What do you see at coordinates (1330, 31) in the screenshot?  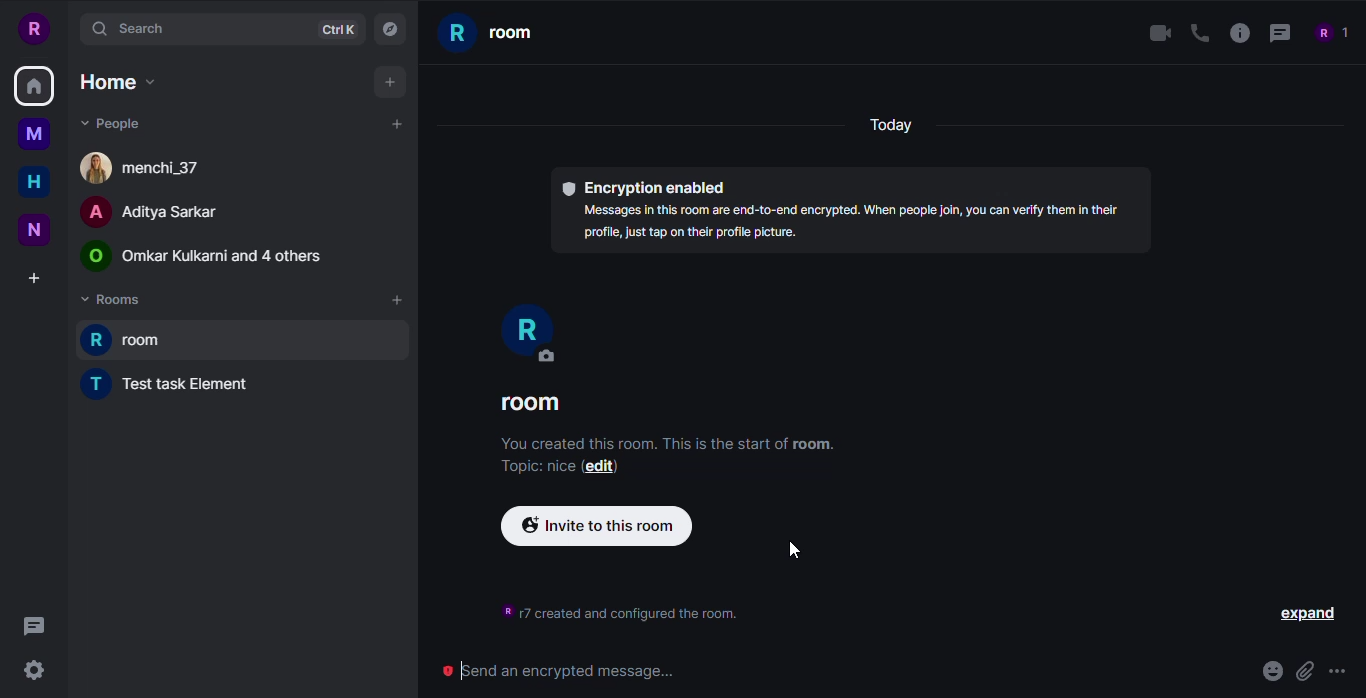 I see `people` at bounding box center [1330, 31].